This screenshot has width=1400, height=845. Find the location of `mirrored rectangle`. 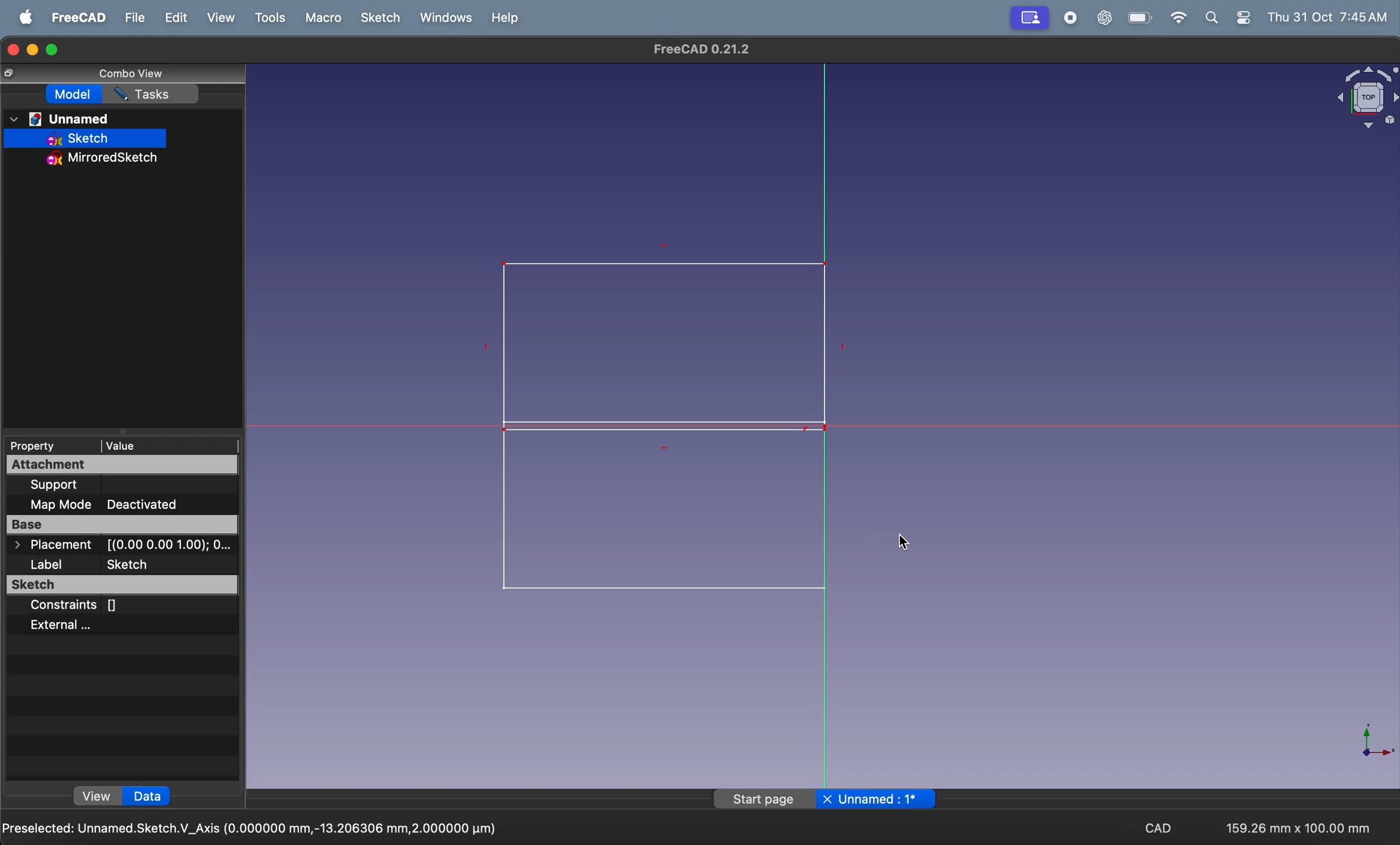

mirrored rectangle is located at coordinates (658, 518).